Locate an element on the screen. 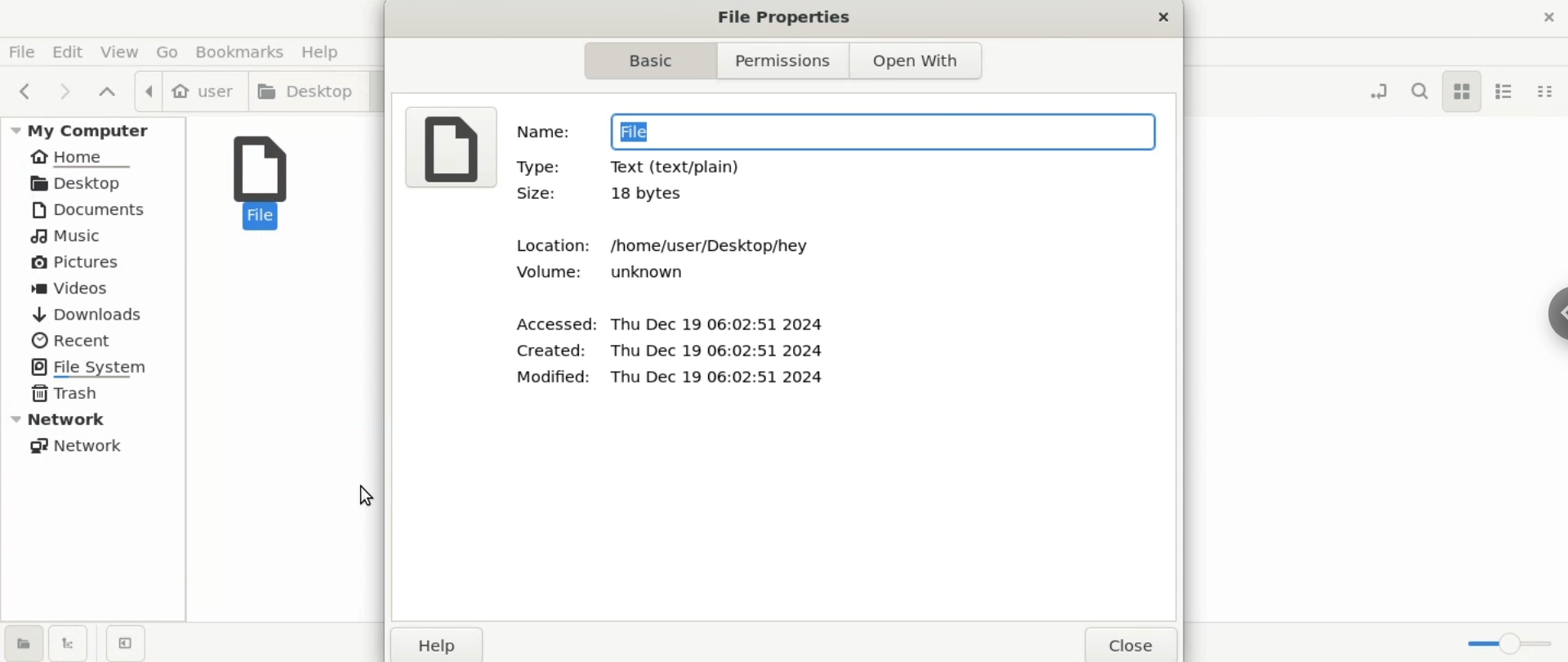 This screenshot has height=662, width=1568. parent folders is located at coordinates (108, 89).